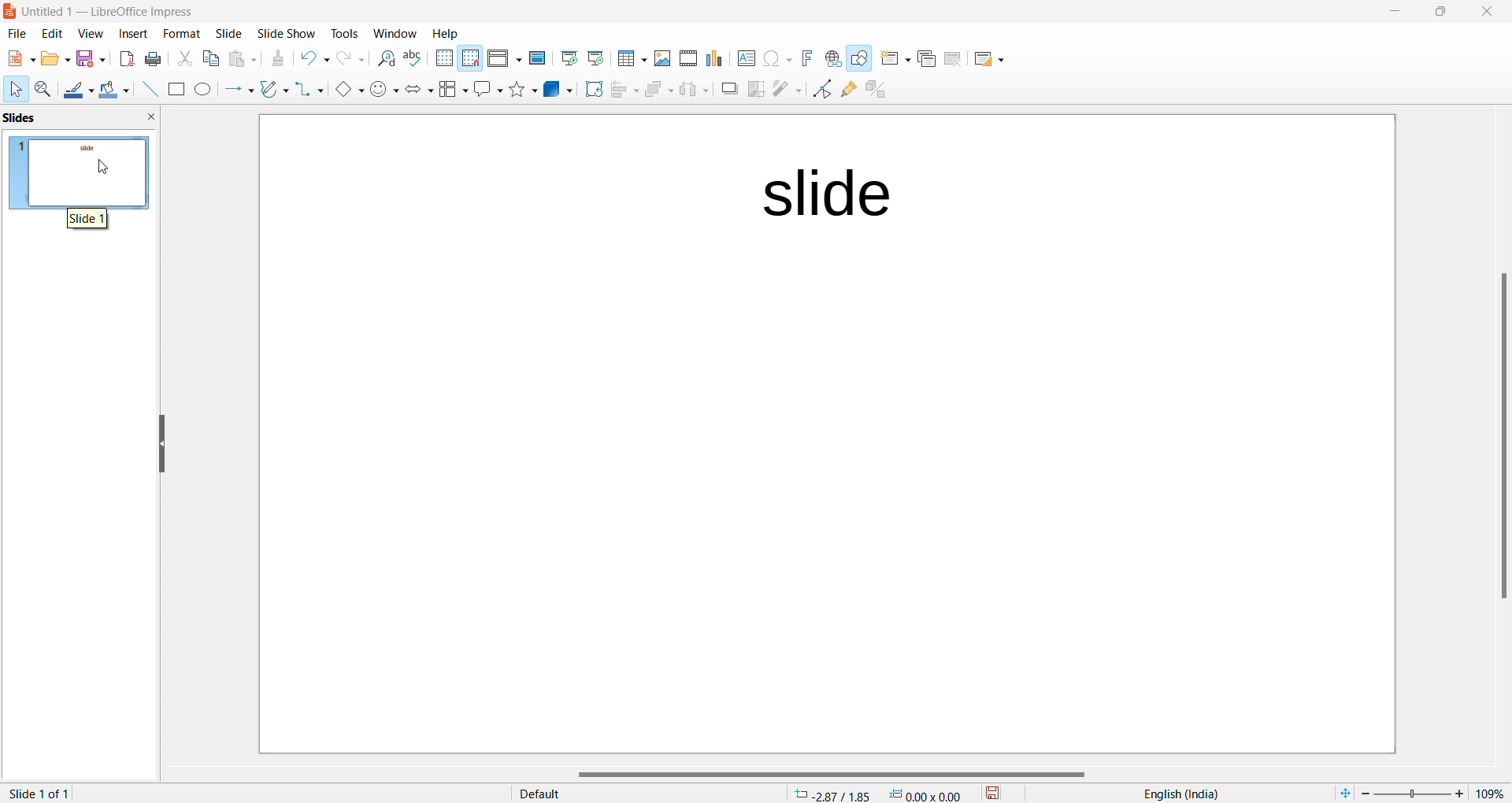 This screenshot has width=1512, height=803. What do you see at coordinates (828, 774) in the screenshot?
I see `horizontal scrollbar` at bounding box center [828, 774].